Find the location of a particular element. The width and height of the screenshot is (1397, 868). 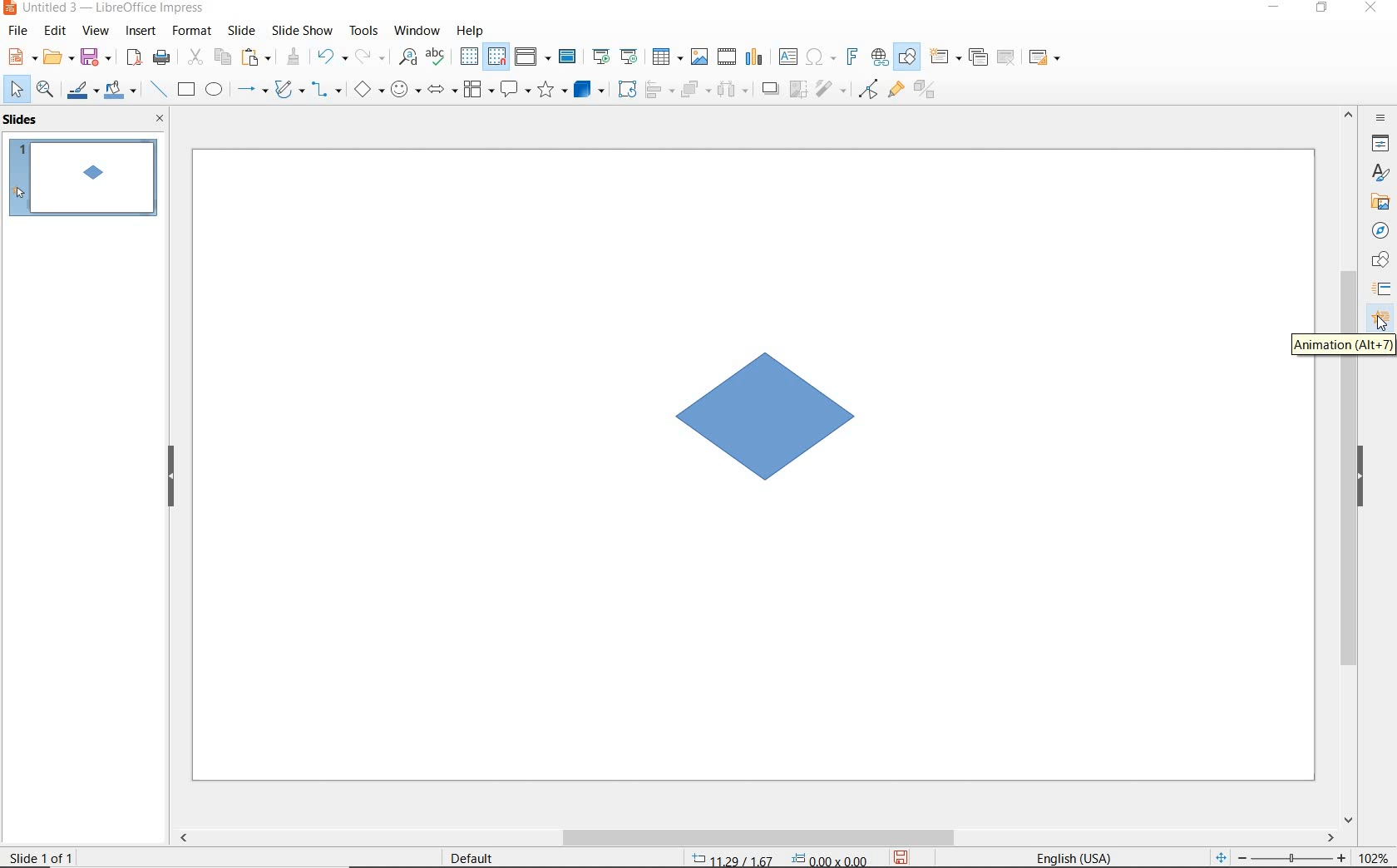

stars and banners is located at coordinates (554, 89).